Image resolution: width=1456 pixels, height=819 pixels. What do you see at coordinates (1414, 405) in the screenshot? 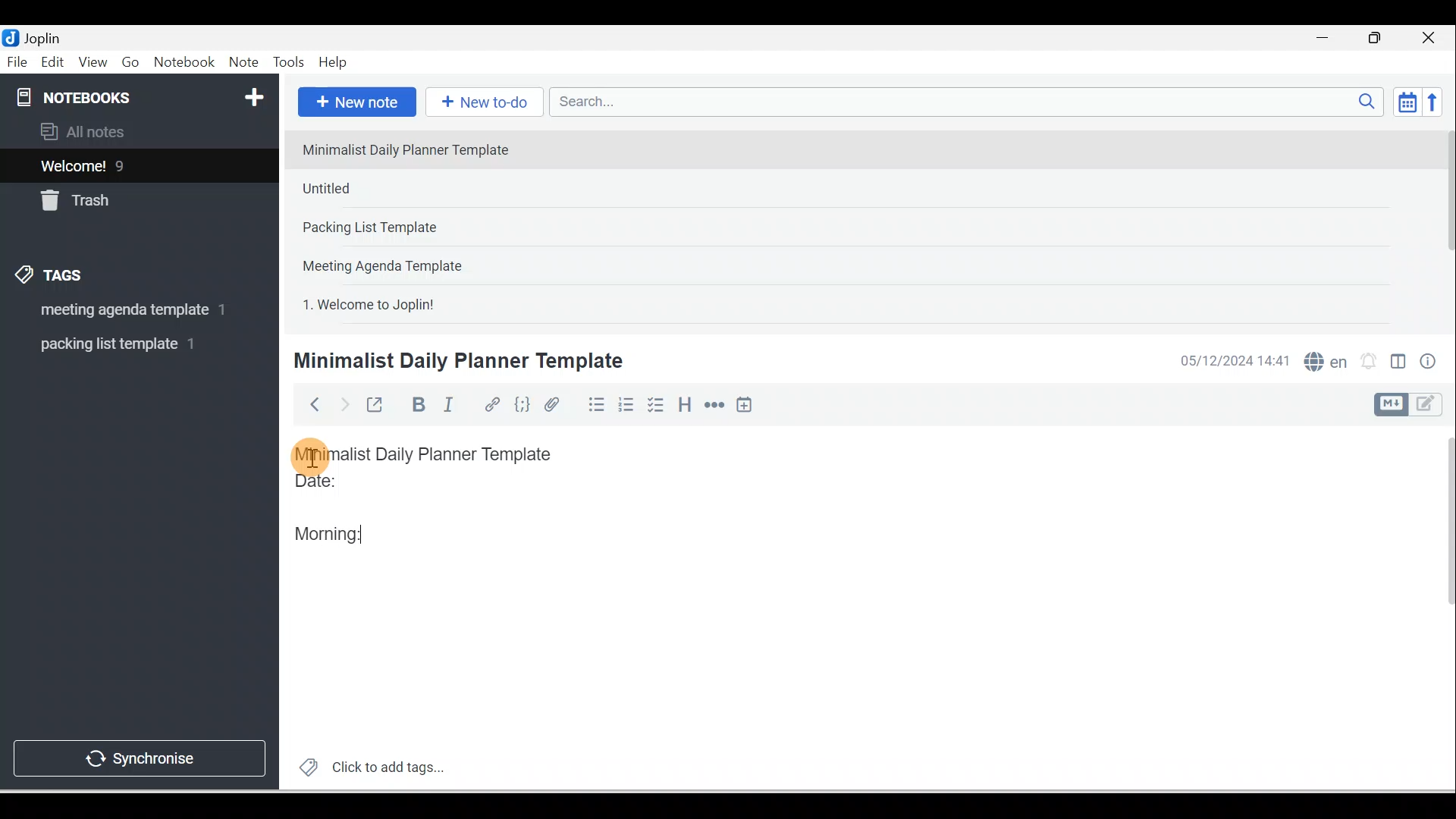
I see `Toggle editor layout` at bounding box center [1414, 405].